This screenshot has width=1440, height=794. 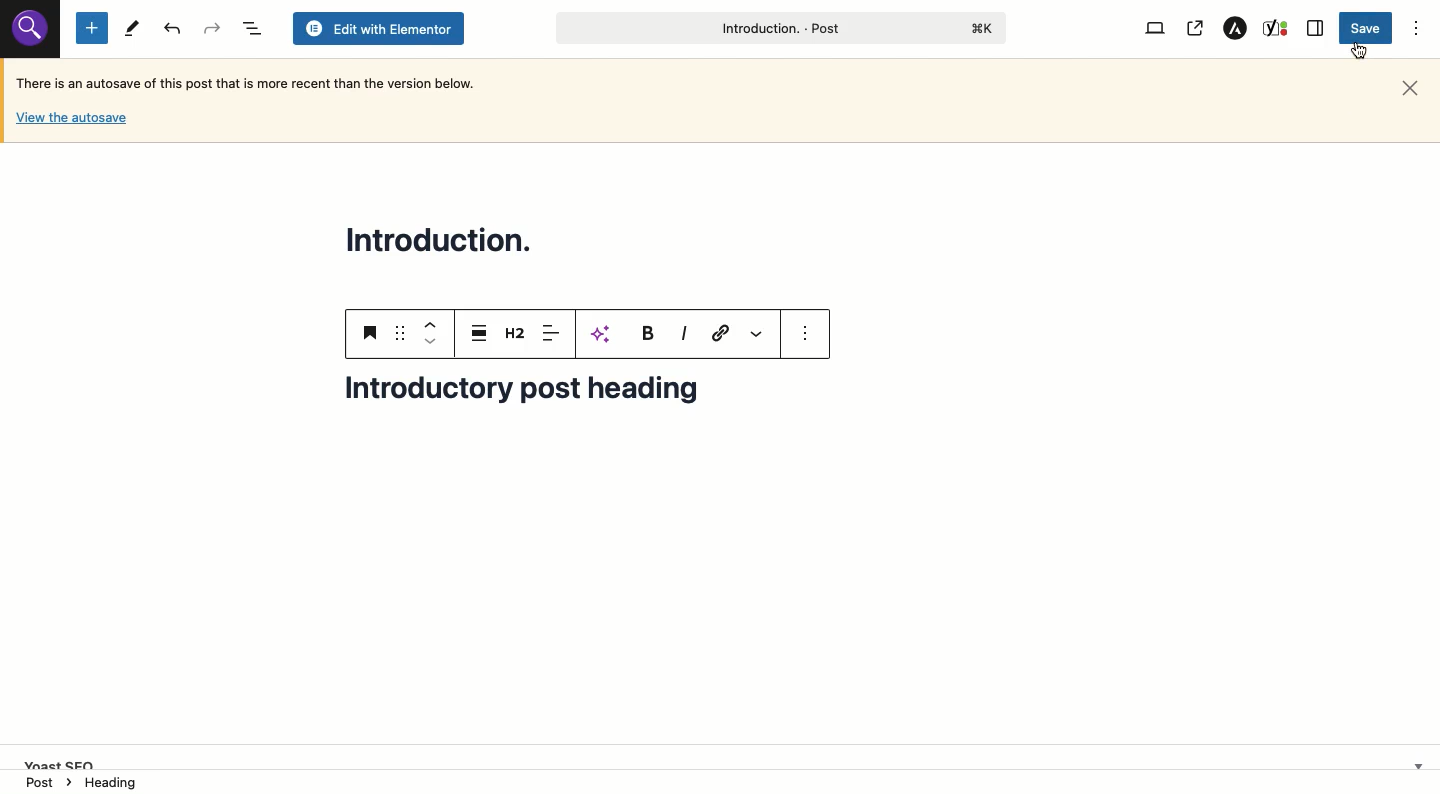 What do you see at coordinates (517, 332) in the screenshot?
I see `Heading 2` at bounding box center [517, 332].